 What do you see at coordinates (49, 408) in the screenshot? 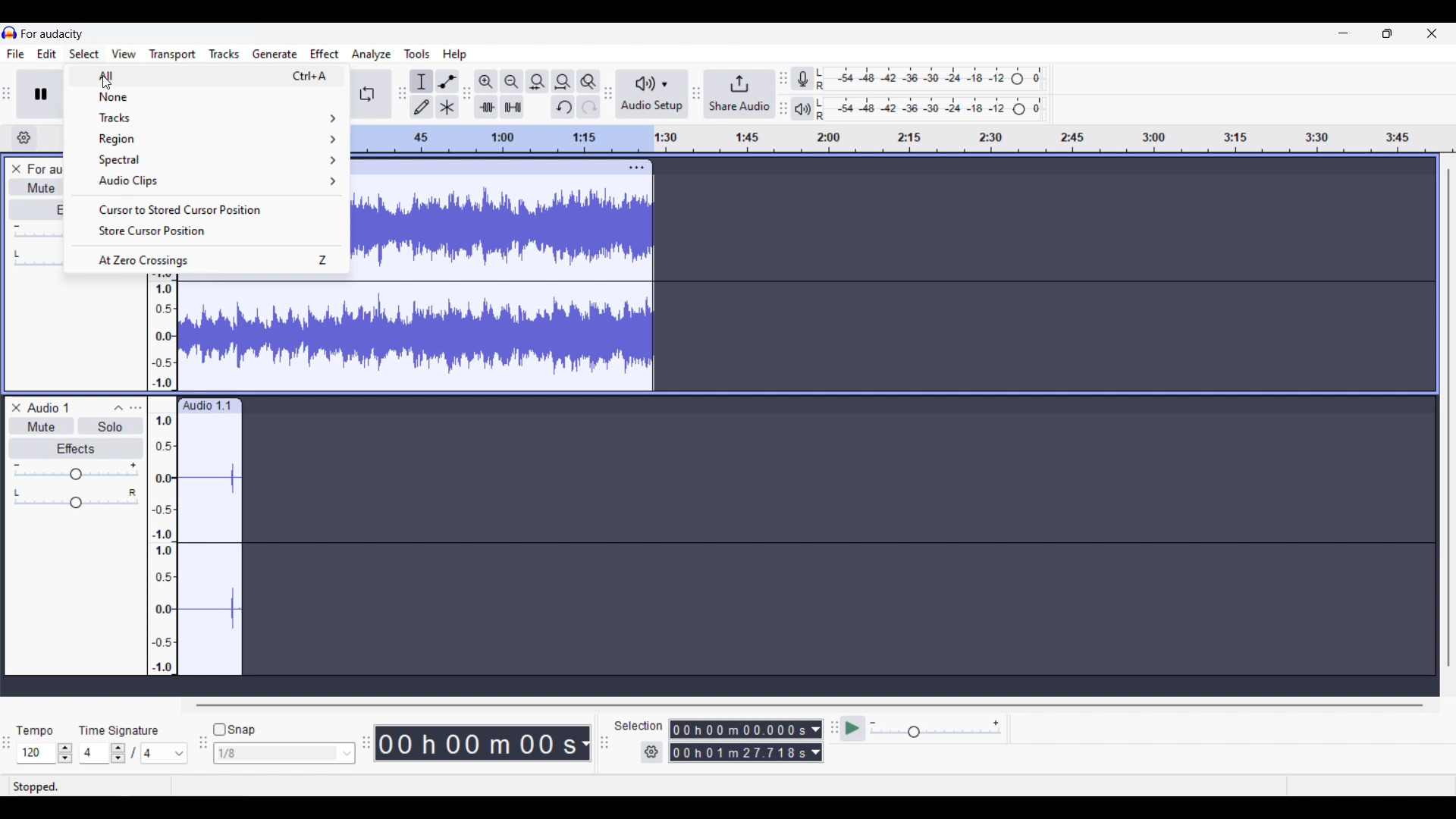
I see `audio 1` at bounding box center [49, 408].